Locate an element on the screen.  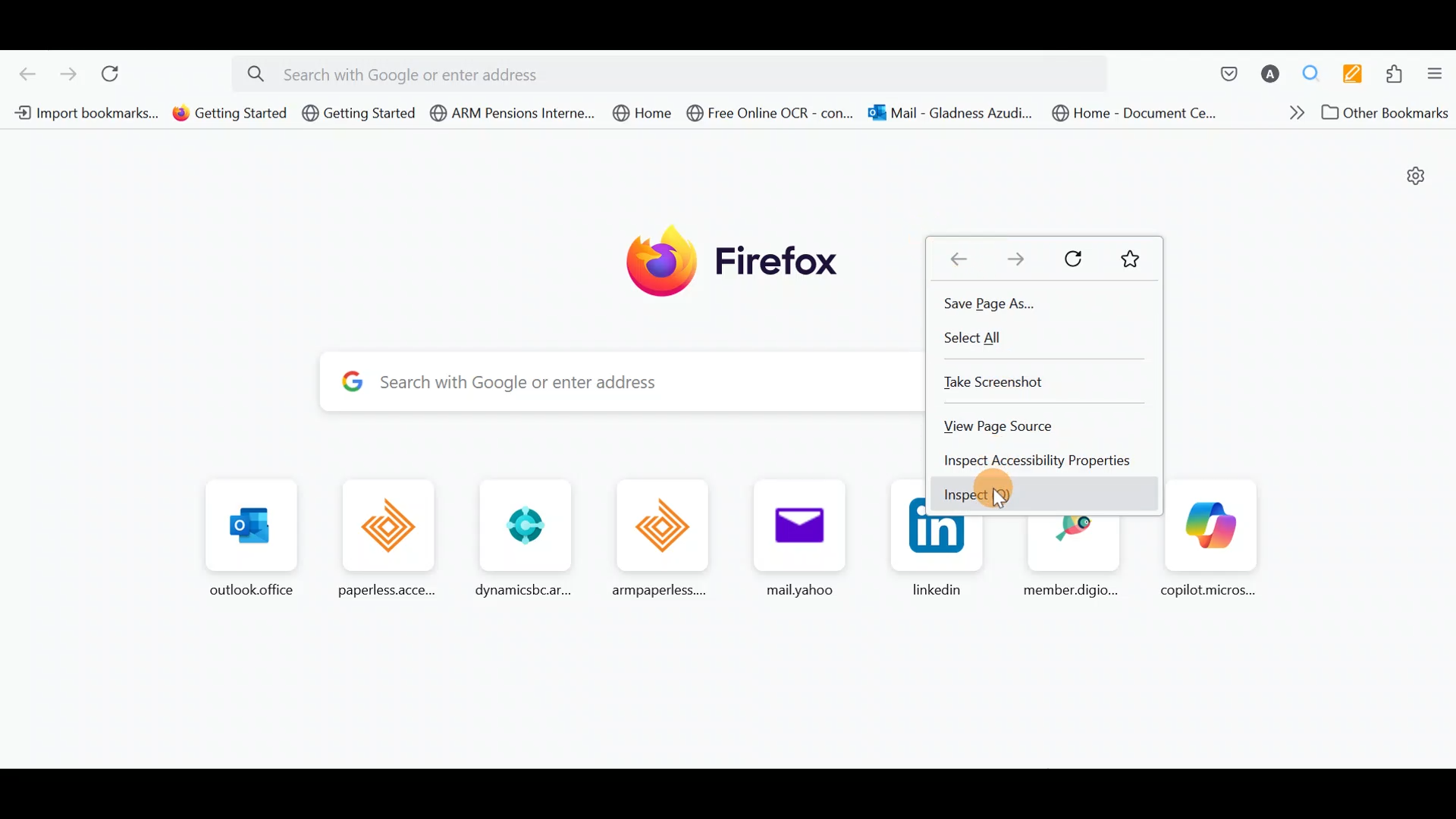
View page source is located at coordinates (999, 427).